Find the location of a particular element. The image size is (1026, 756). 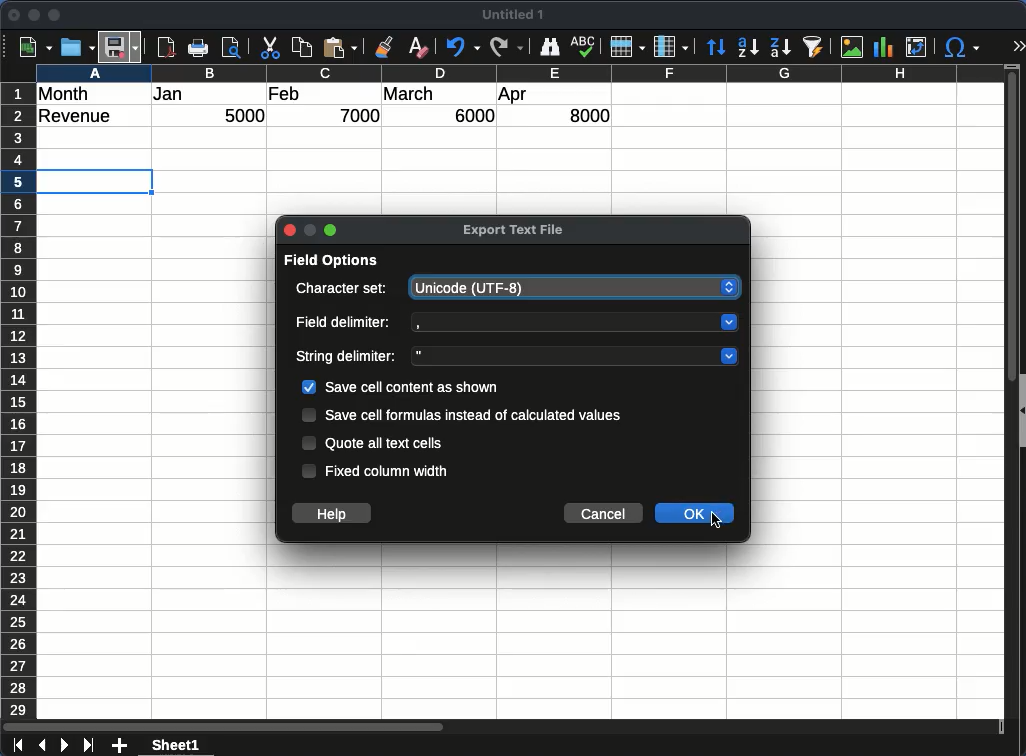

feb is located at coordinates (284, 93).